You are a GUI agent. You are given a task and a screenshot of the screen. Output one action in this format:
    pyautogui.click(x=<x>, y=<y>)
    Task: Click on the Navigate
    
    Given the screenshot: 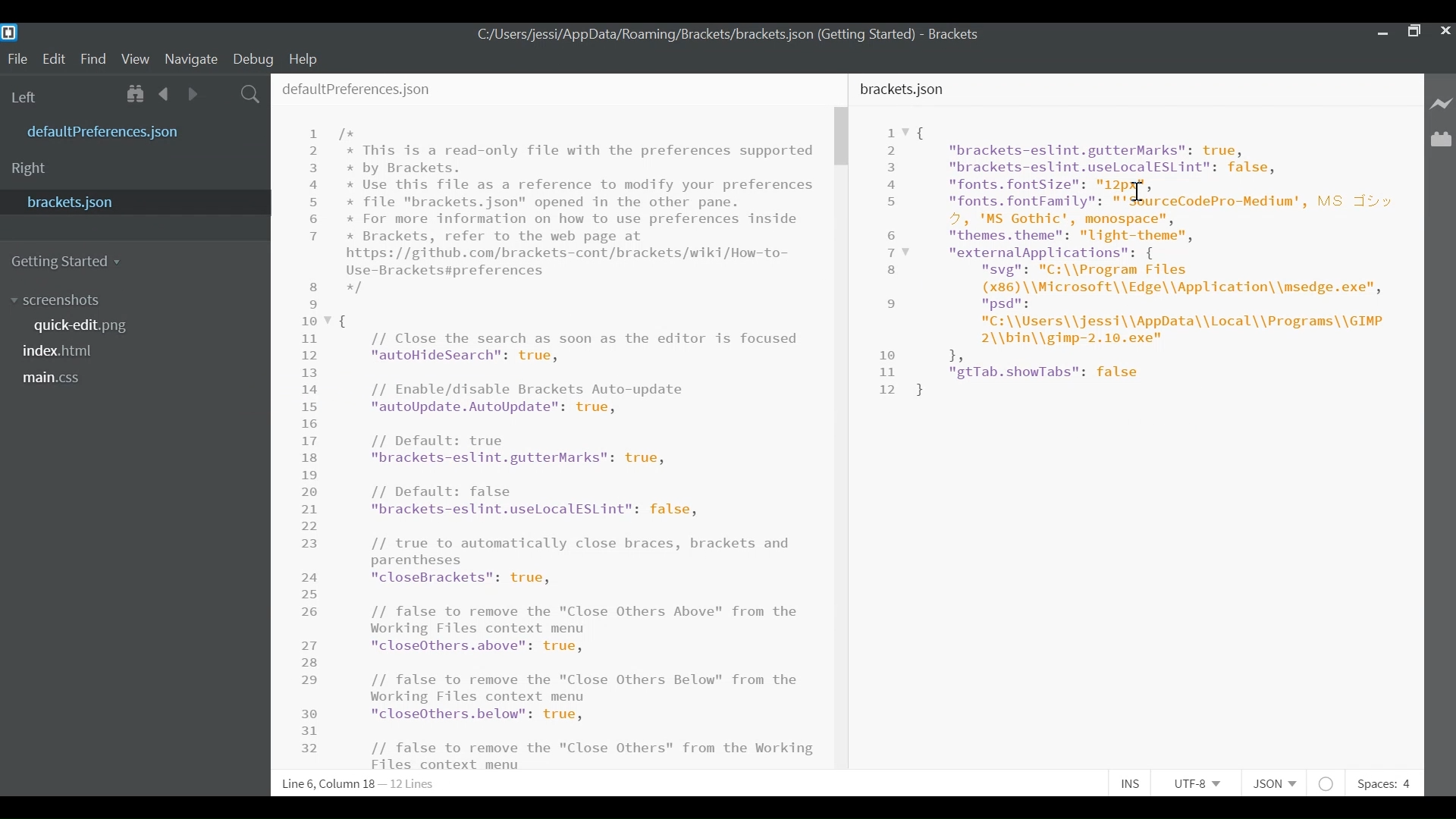 What is the action you would take?
    pyautogui.click(x=193, y=58)
    